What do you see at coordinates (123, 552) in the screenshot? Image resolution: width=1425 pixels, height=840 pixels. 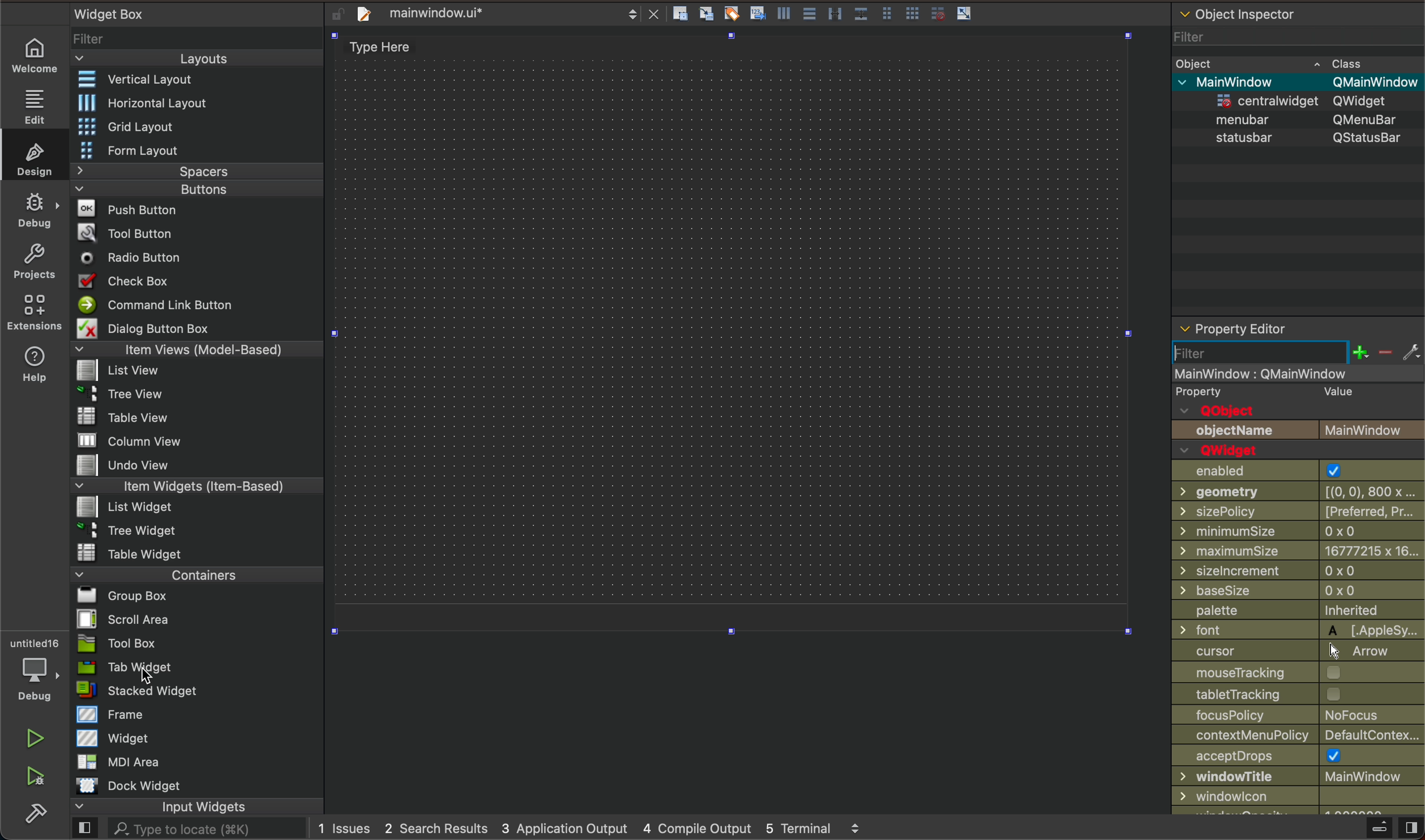 I see `Table Widget` at bounding box center [123, 552].